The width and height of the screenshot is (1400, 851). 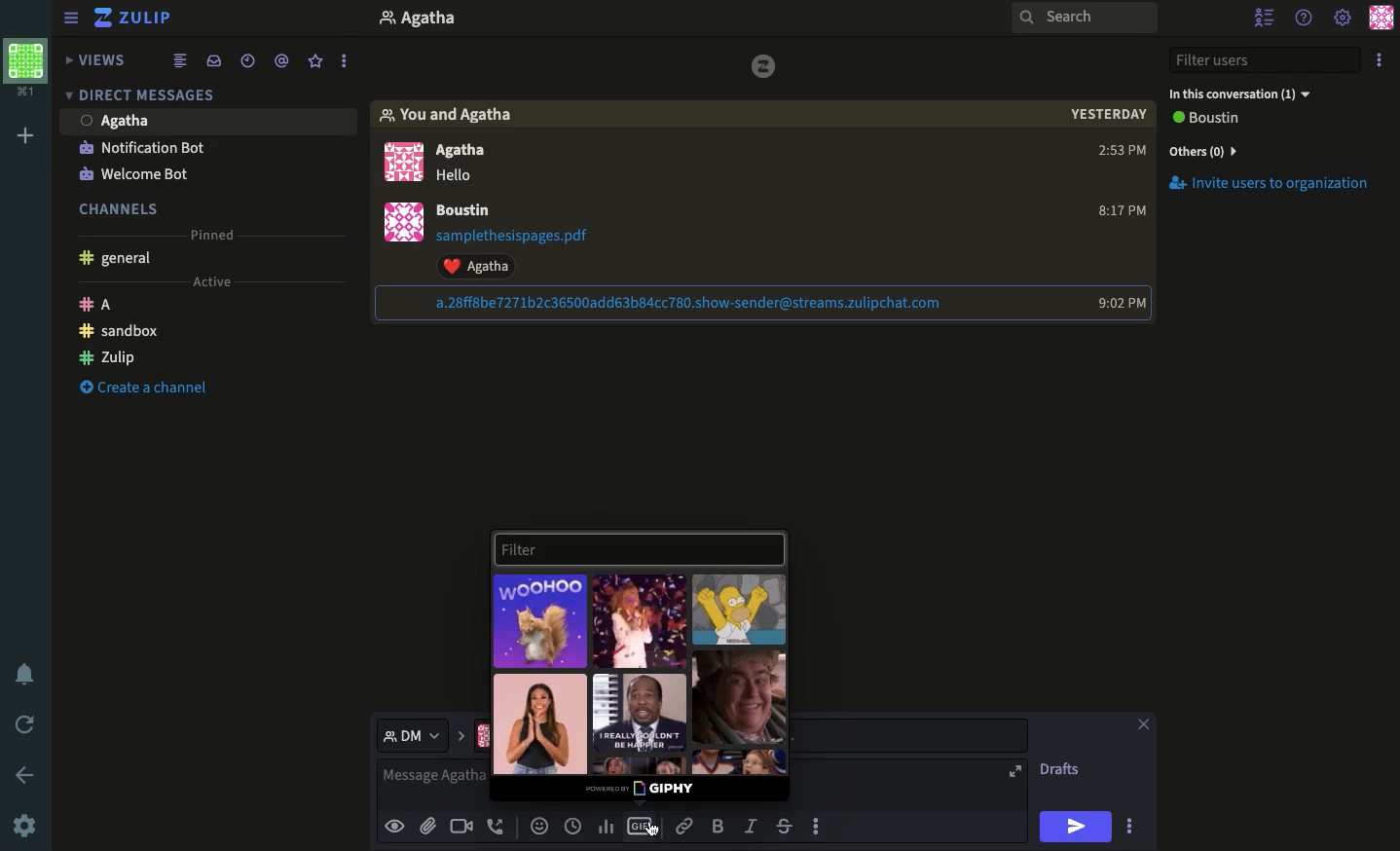 What do you see at coordinates (314, 62) in the screenshot?
I see `Favorites` at bounding box center [314, 62].